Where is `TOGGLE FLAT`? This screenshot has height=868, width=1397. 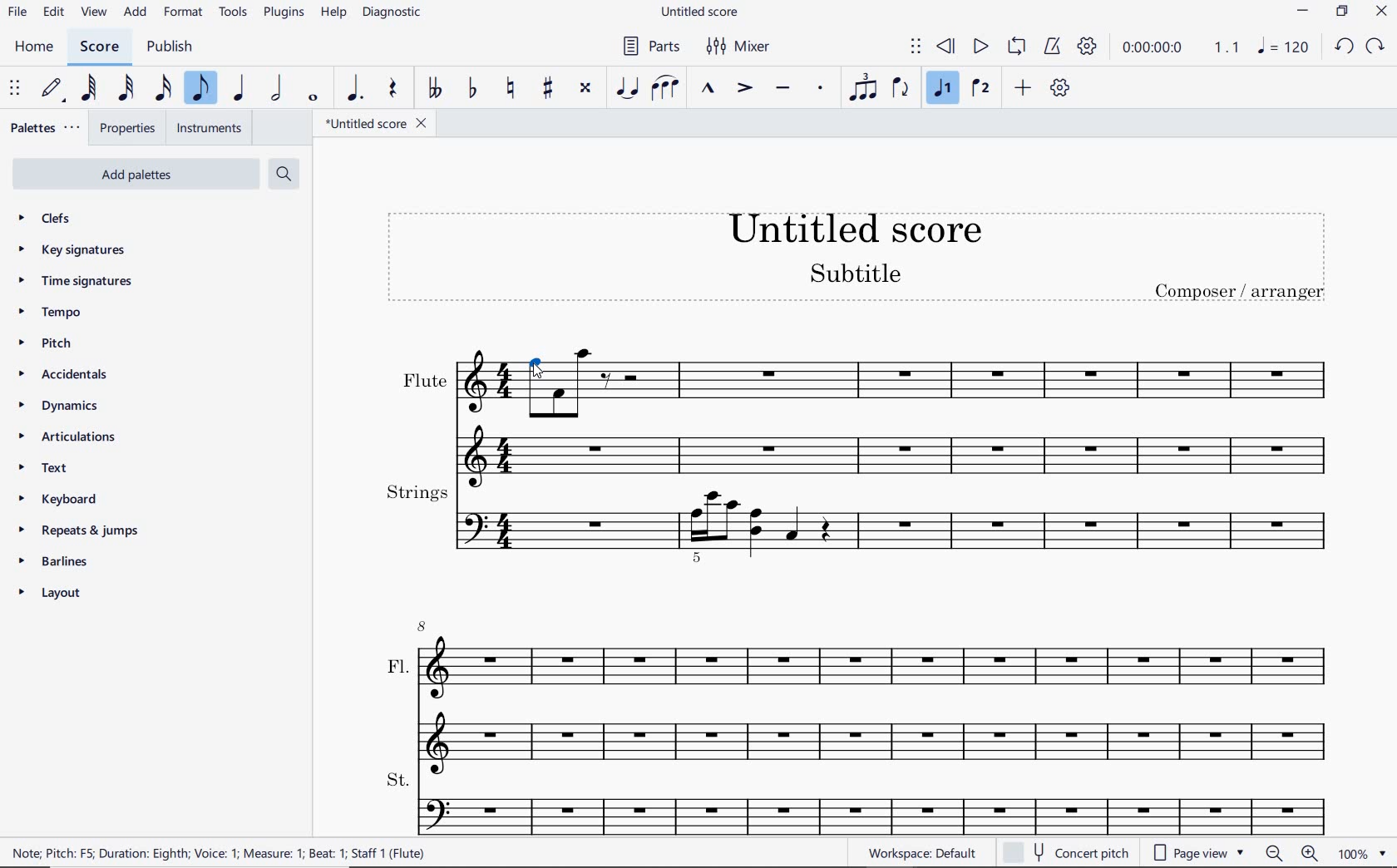
TOGGLE FLAT is located at coordinates (474, 86).